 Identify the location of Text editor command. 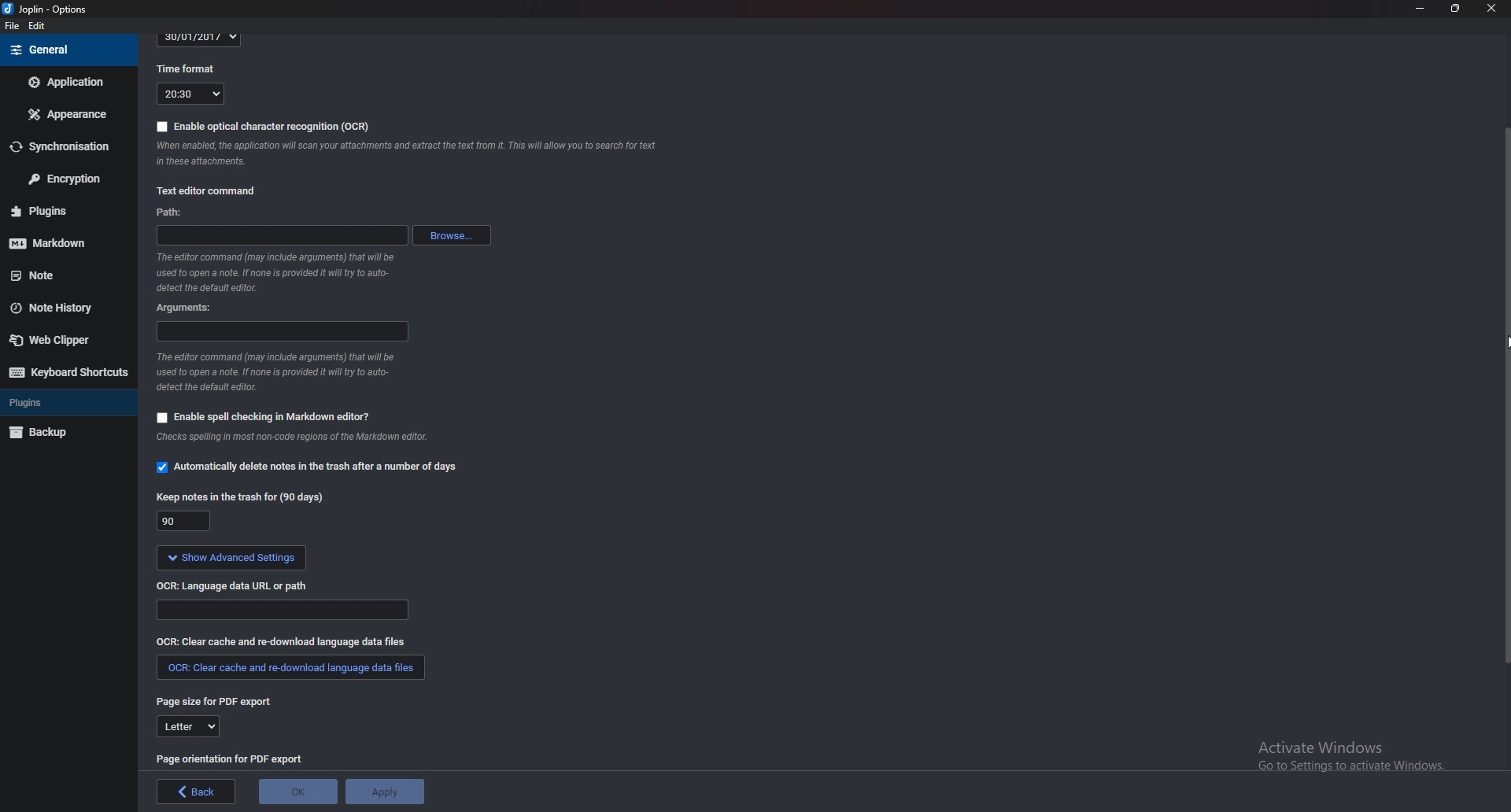
(217, 188).